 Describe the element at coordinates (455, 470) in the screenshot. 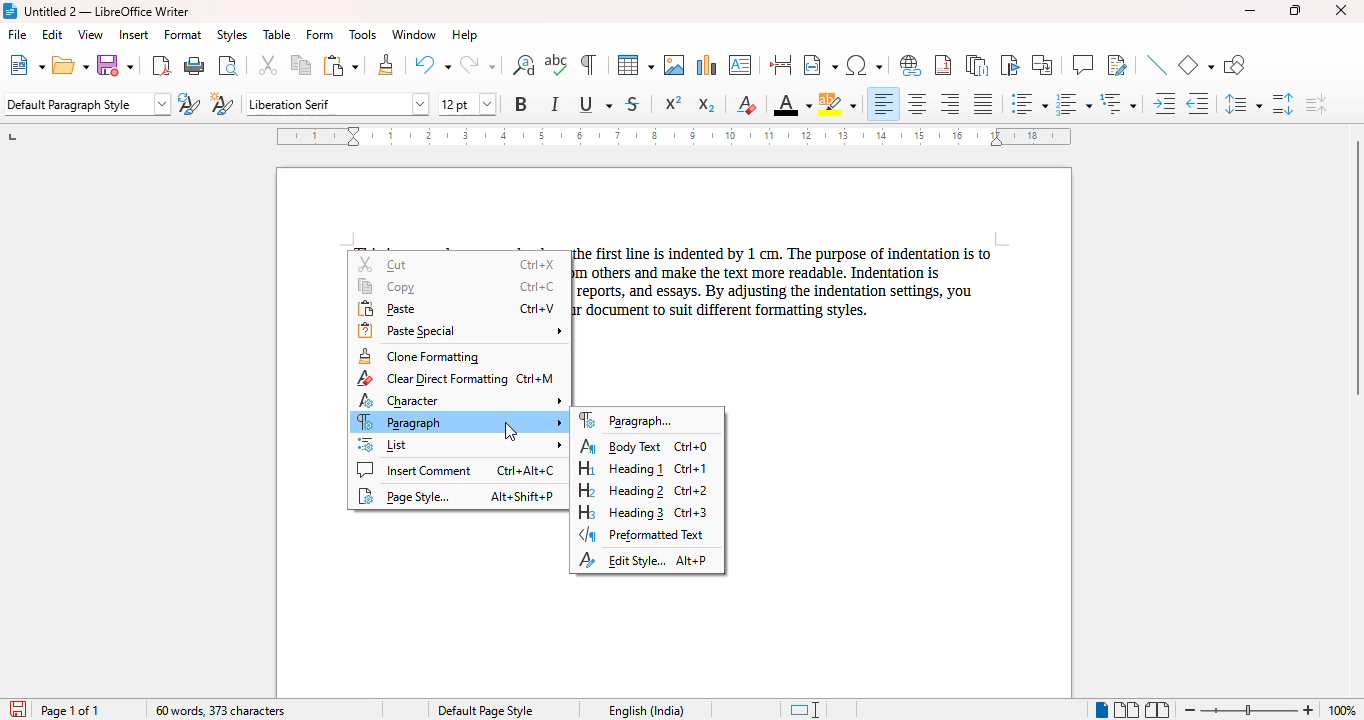

I see `insert comment` at that location.